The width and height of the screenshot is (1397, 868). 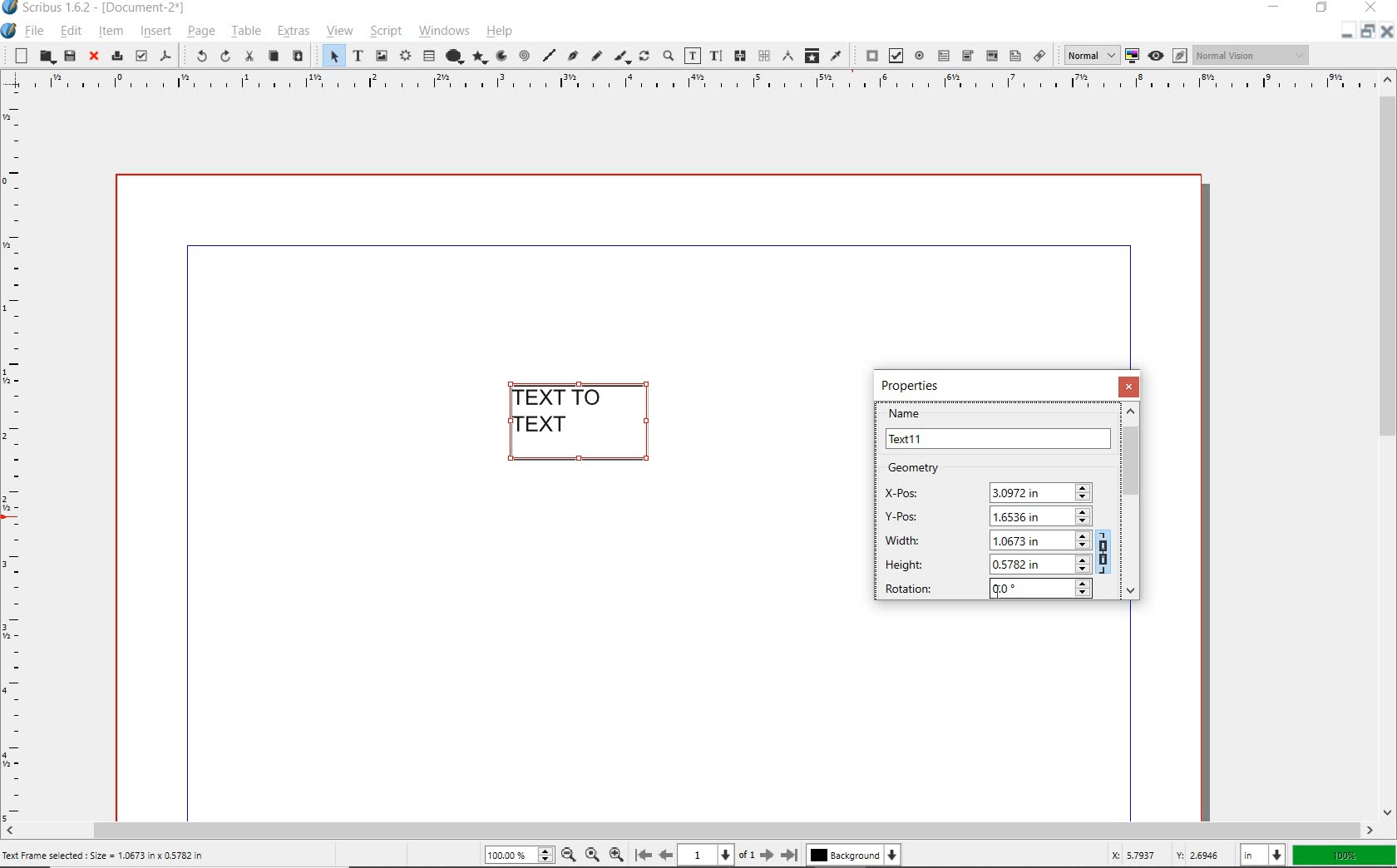 What do you see at coordinates (12, 8) in the screenshot?
I see `icon` at bounding box center [12, 8].